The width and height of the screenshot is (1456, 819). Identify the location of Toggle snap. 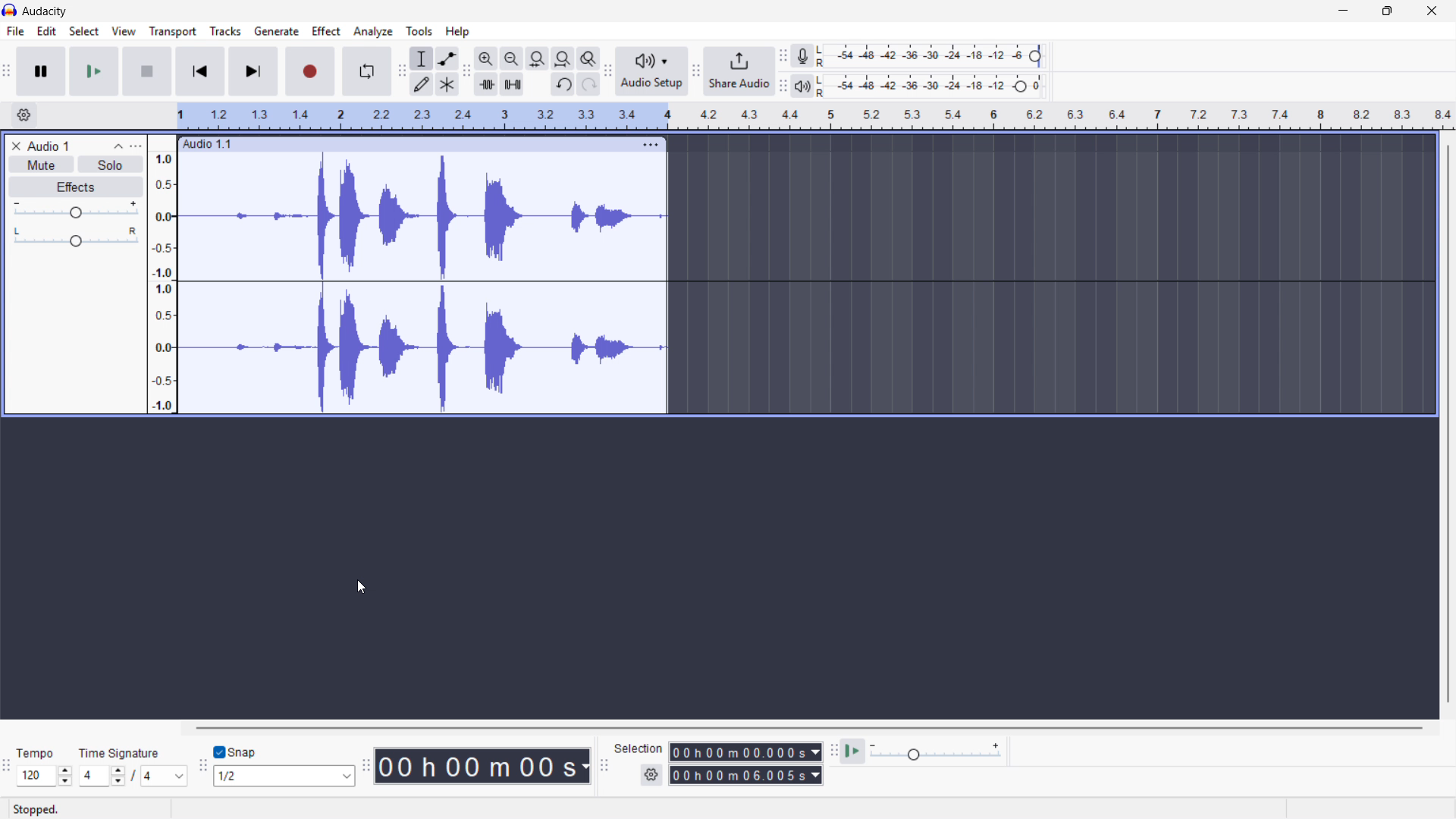
(236, 753).